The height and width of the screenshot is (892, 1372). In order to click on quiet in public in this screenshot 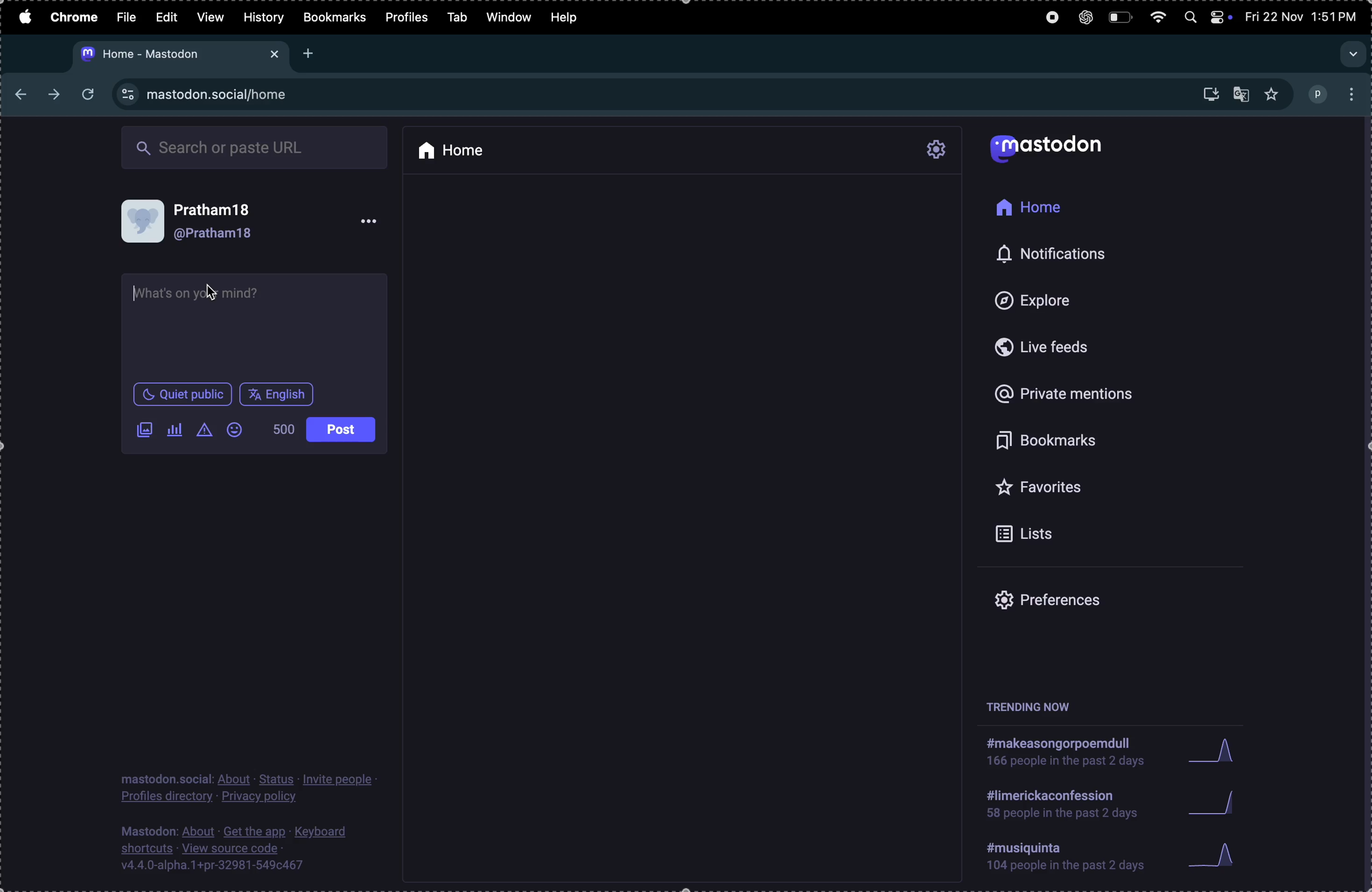, I will do `click(183, 394)`.